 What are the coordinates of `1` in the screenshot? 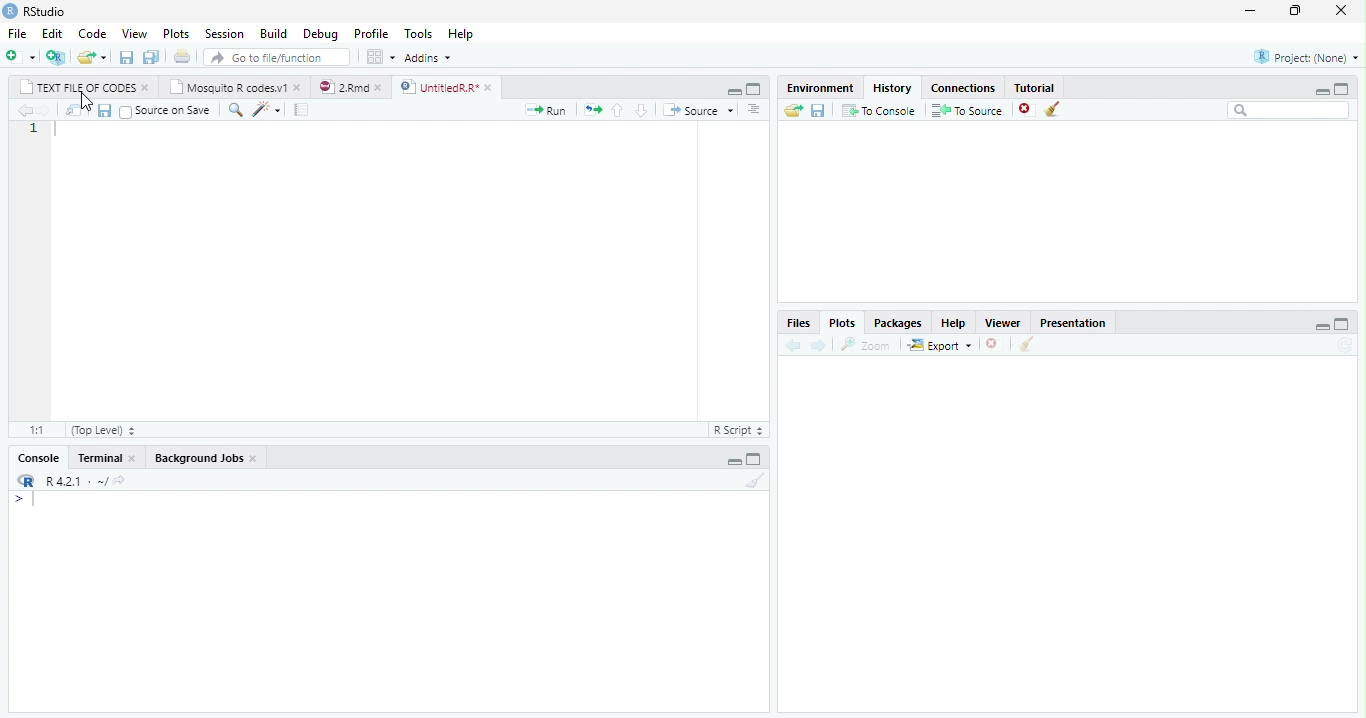 It's located at (33, 130).